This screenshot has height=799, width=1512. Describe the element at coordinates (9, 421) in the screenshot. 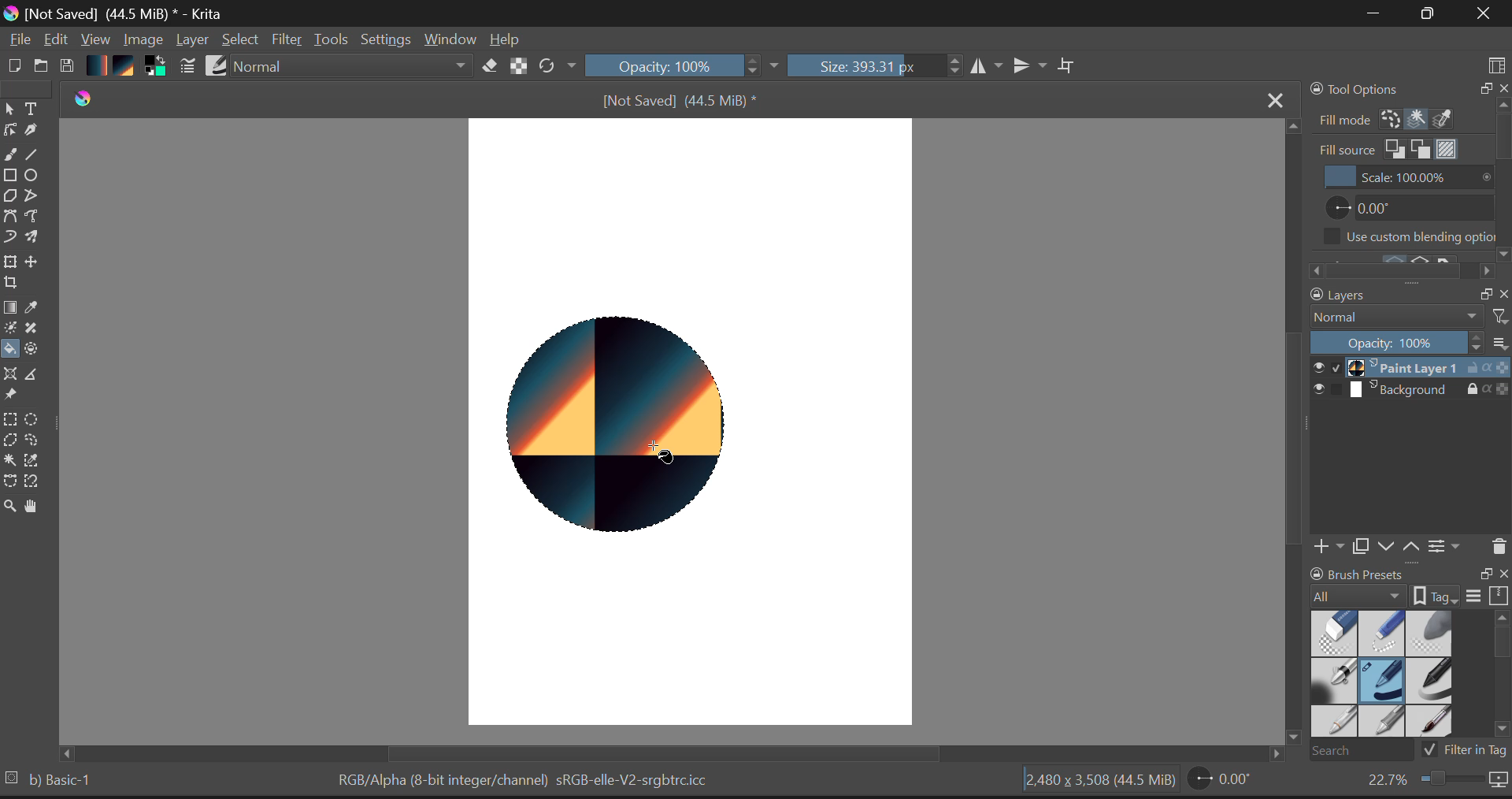

I see `Rectangle Selection` at that location.